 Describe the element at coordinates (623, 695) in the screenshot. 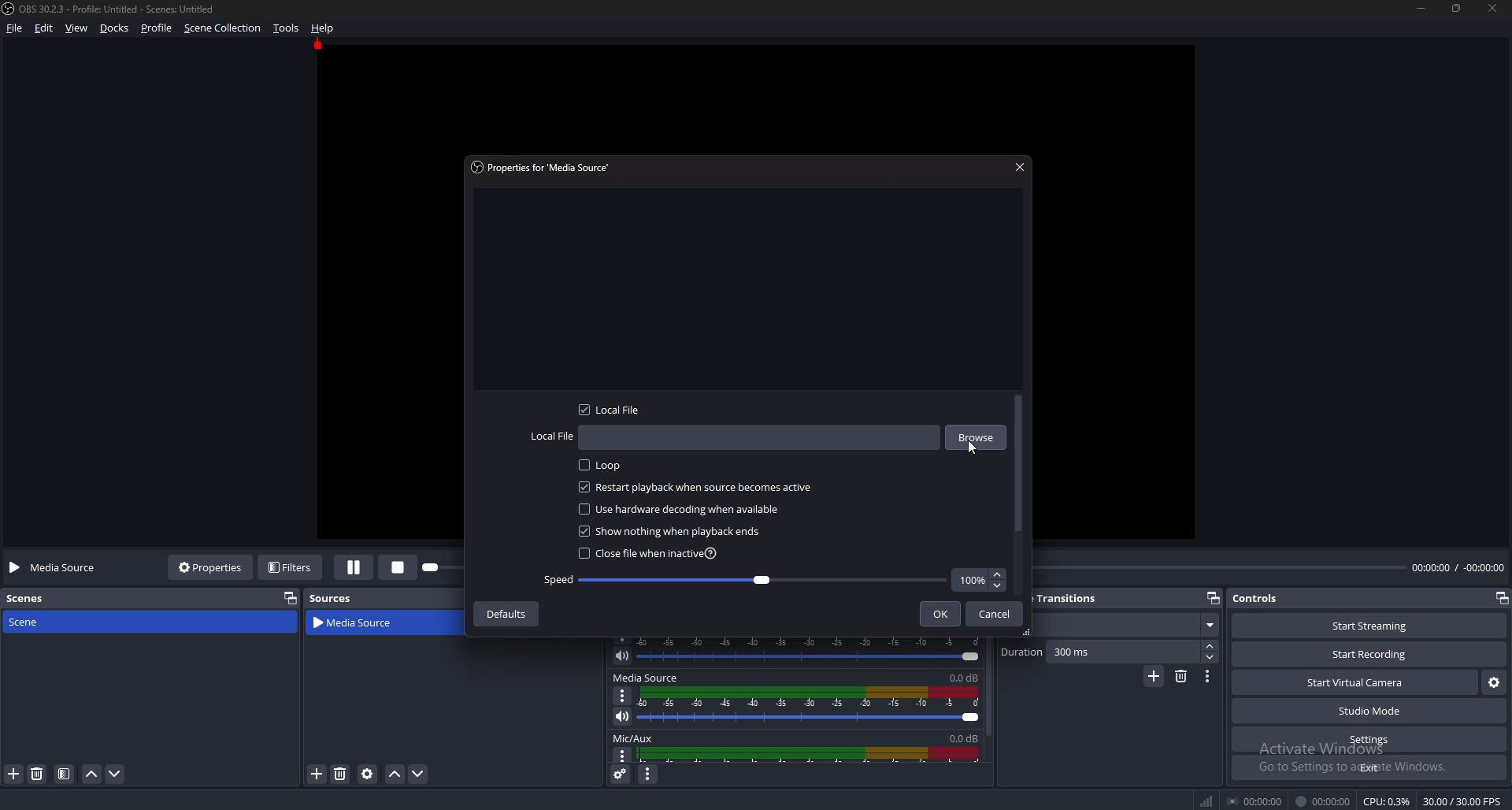

I see `Options` at that location.